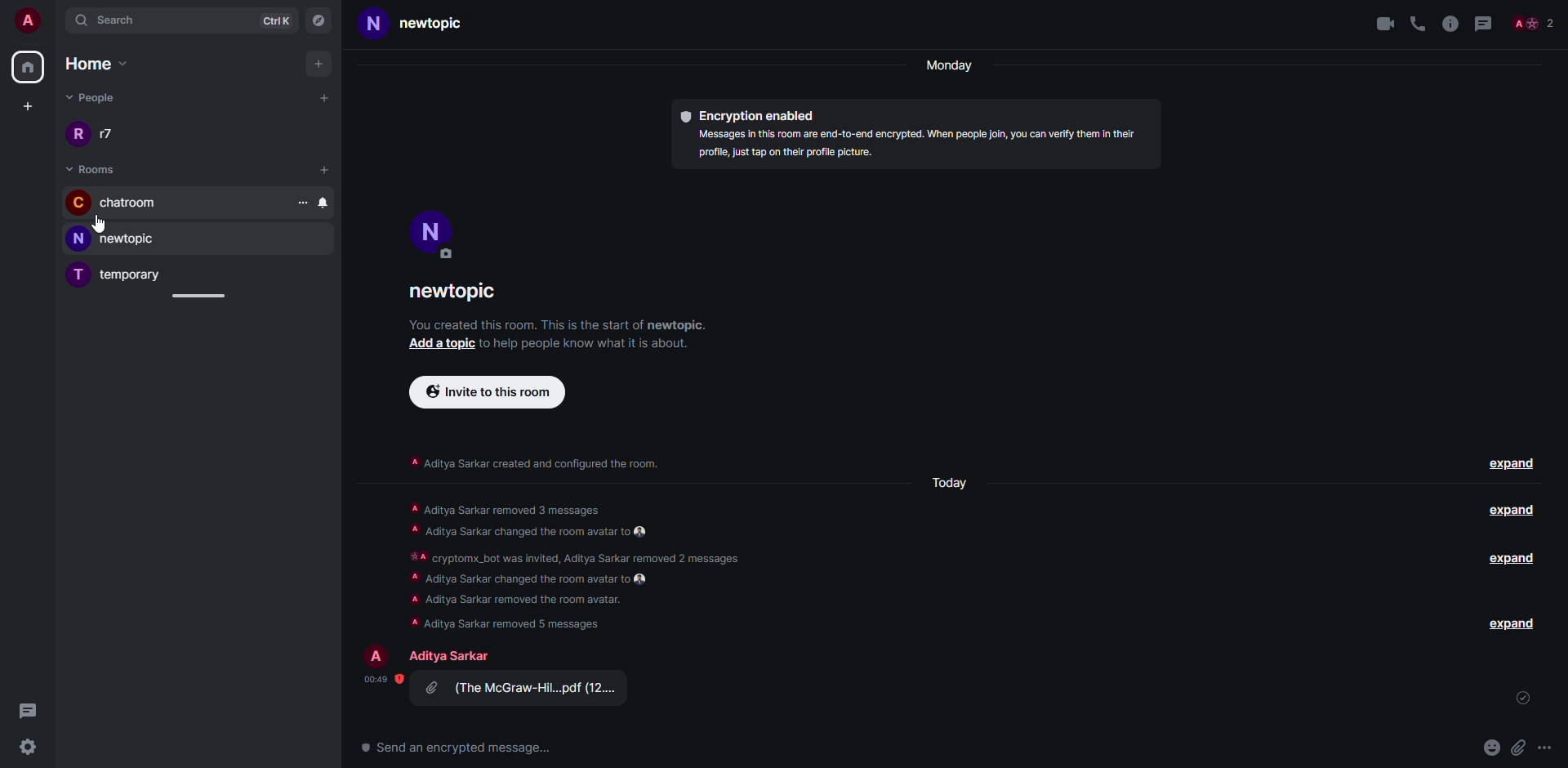 The image size is (1568, 768). Describe the element at coordinates (1511, 510) in the screenshot. I see `expand` at that location.